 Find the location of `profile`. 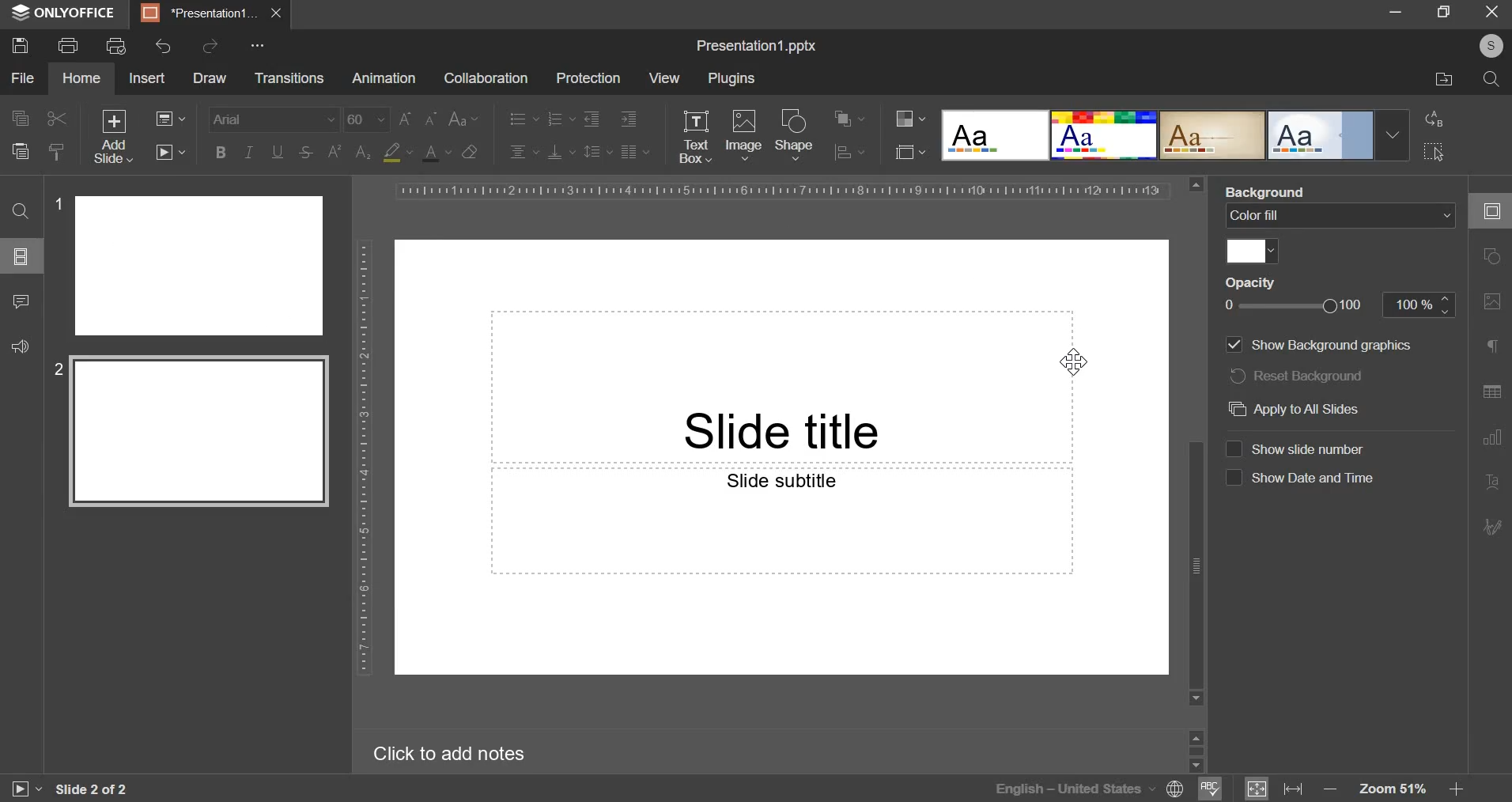

profile is located at coordinates (1487, 47).